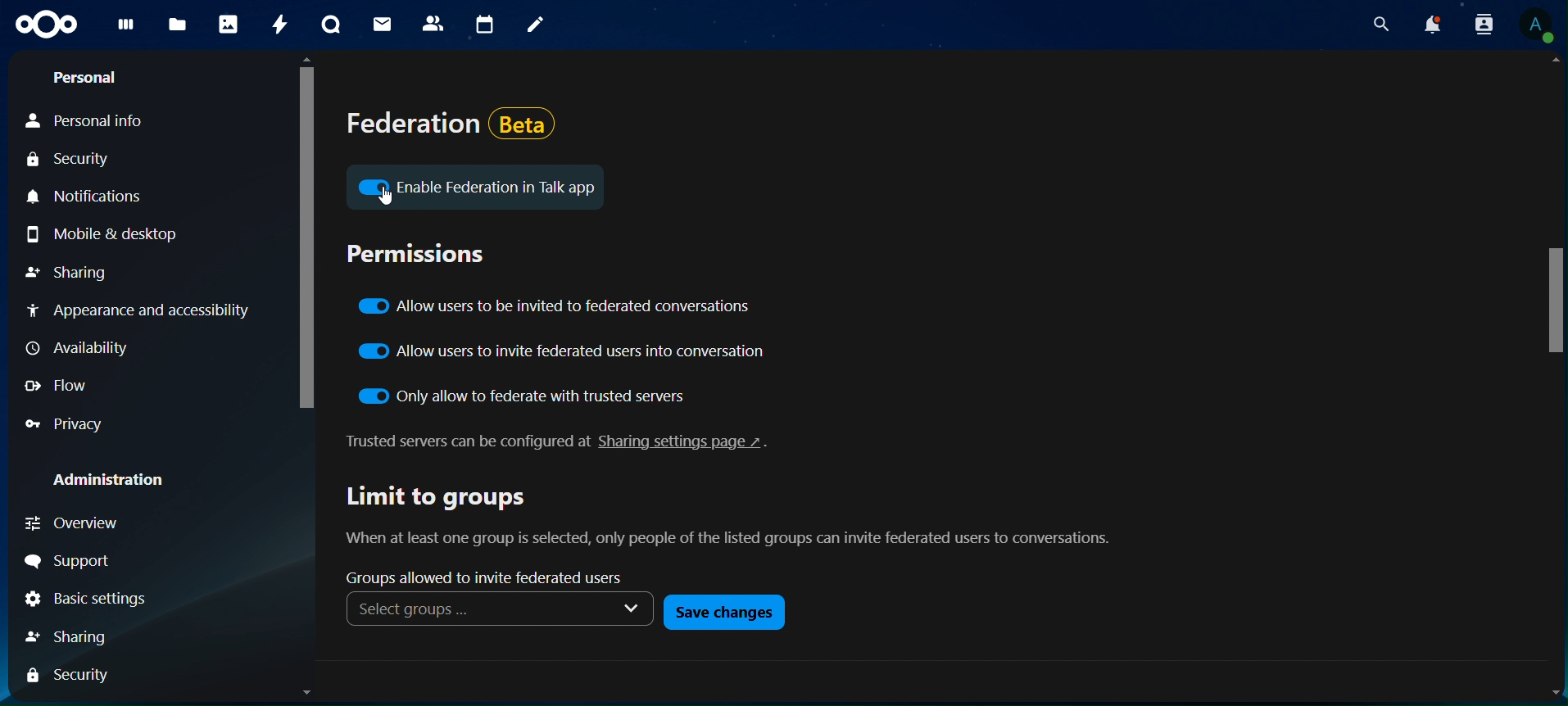 Image resolution: width=1568 pixels, height=706 pixels. Describe the element at coordinates (484, 26) in the screenshot. I see `calendar` at that location.